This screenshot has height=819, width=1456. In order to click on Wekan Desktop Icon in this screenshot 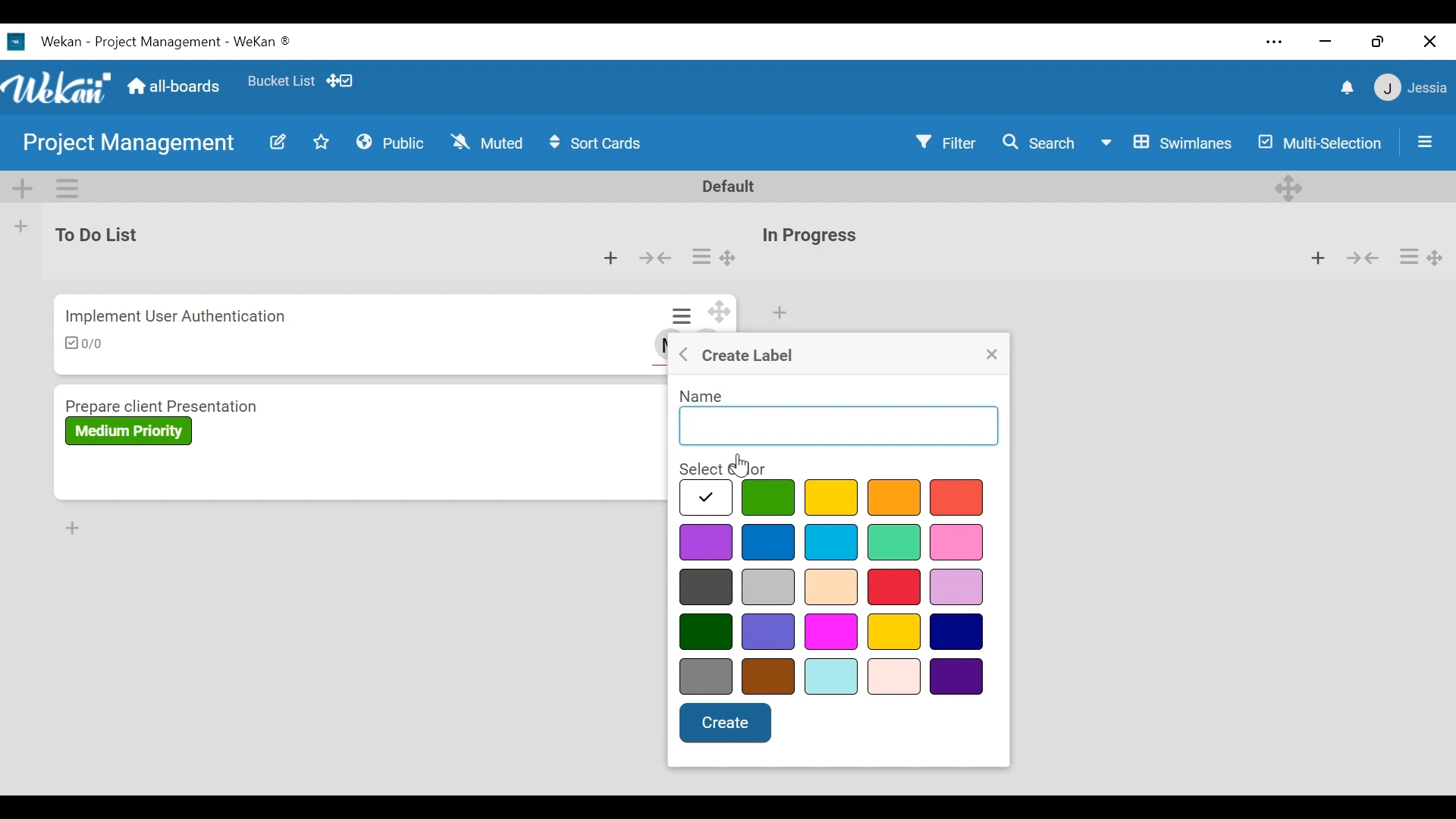, I will do `click(156, 40)`.